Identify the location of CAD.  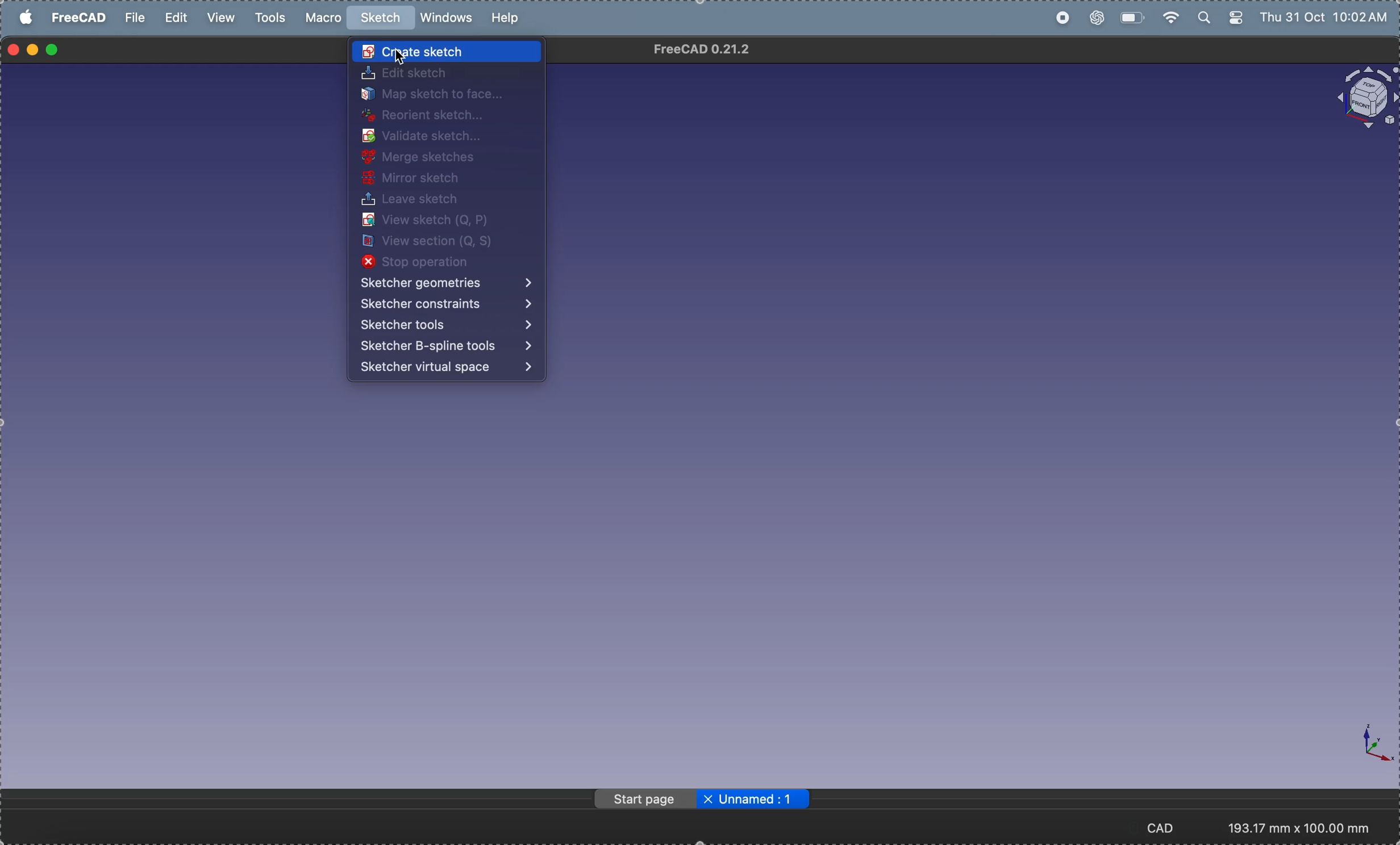
(1166, 827).